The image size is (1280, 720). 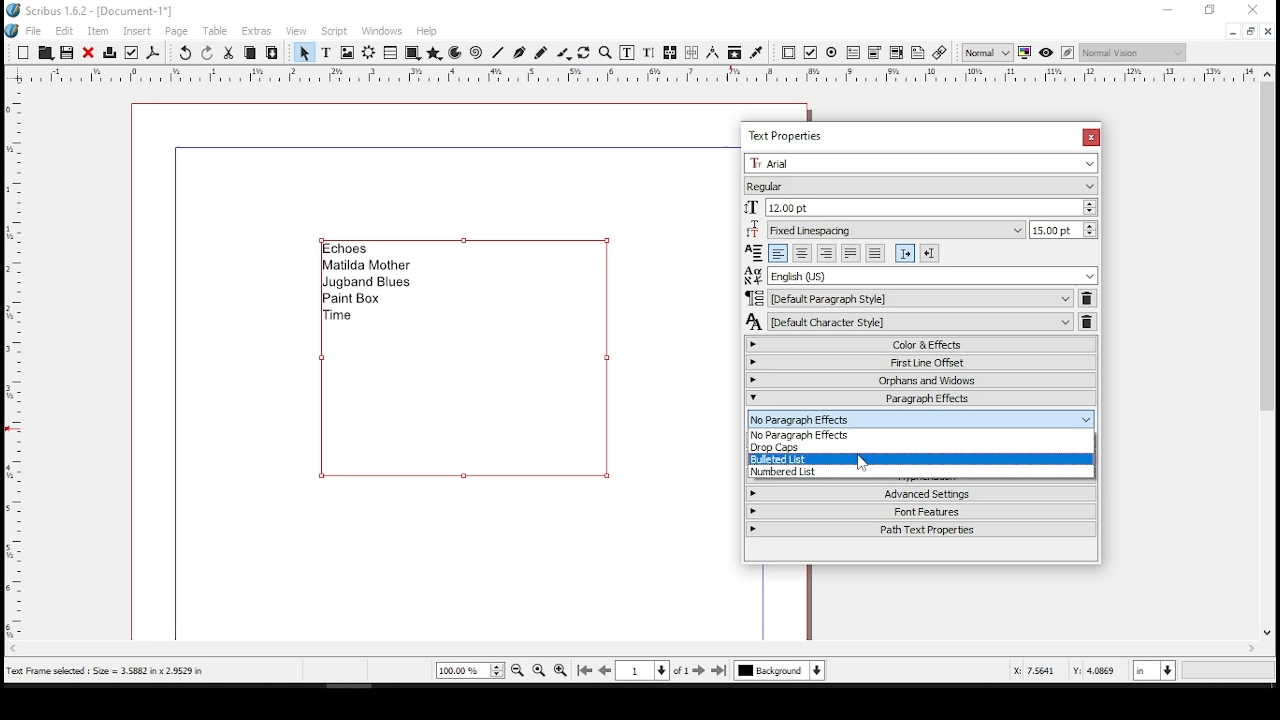 I want to click on close window, so click(x=1256, y=9).